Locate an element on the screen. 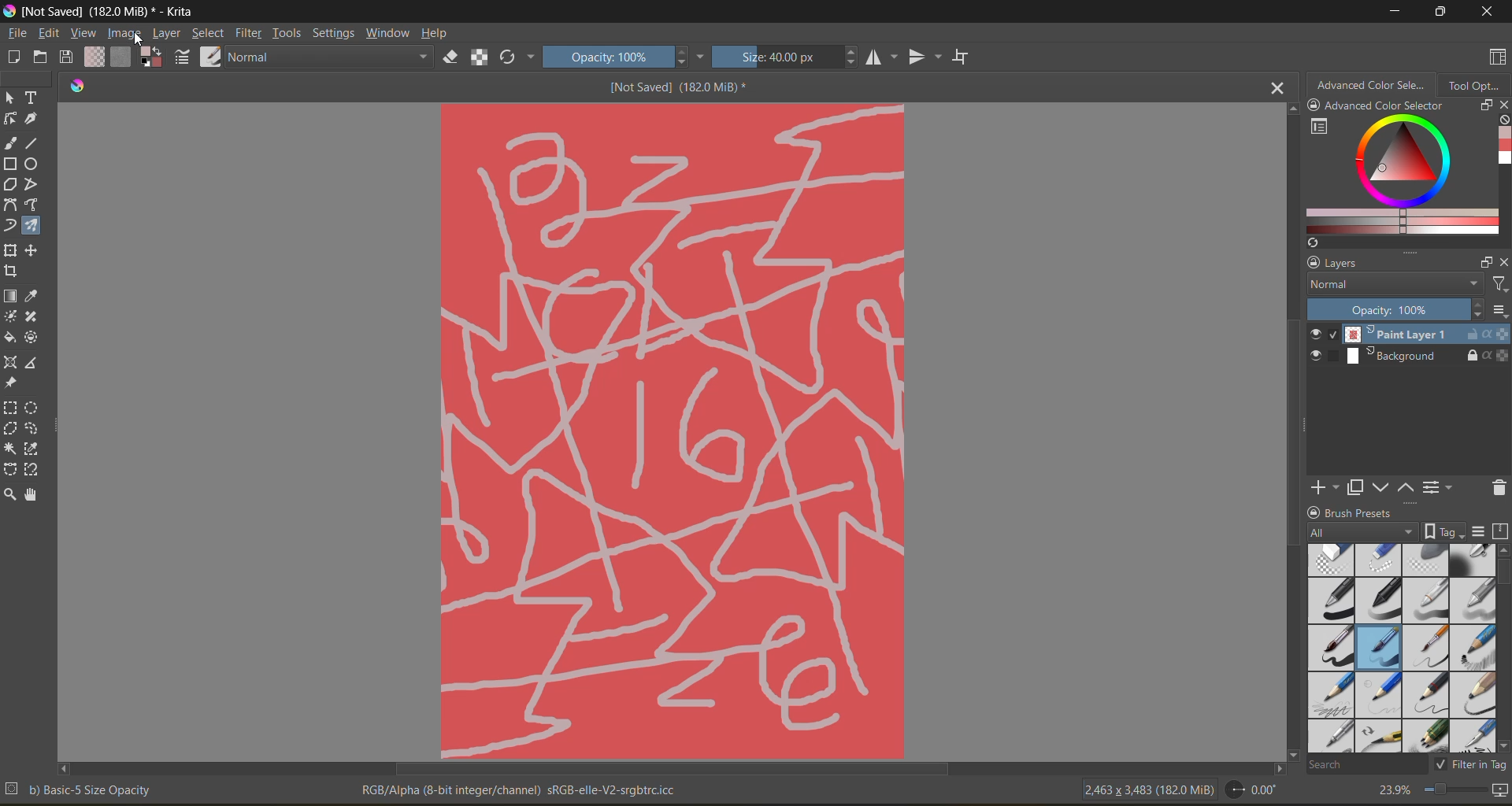 The width and height of the screenshot is (1512, 806). add is located at coordinates (1321, 486).